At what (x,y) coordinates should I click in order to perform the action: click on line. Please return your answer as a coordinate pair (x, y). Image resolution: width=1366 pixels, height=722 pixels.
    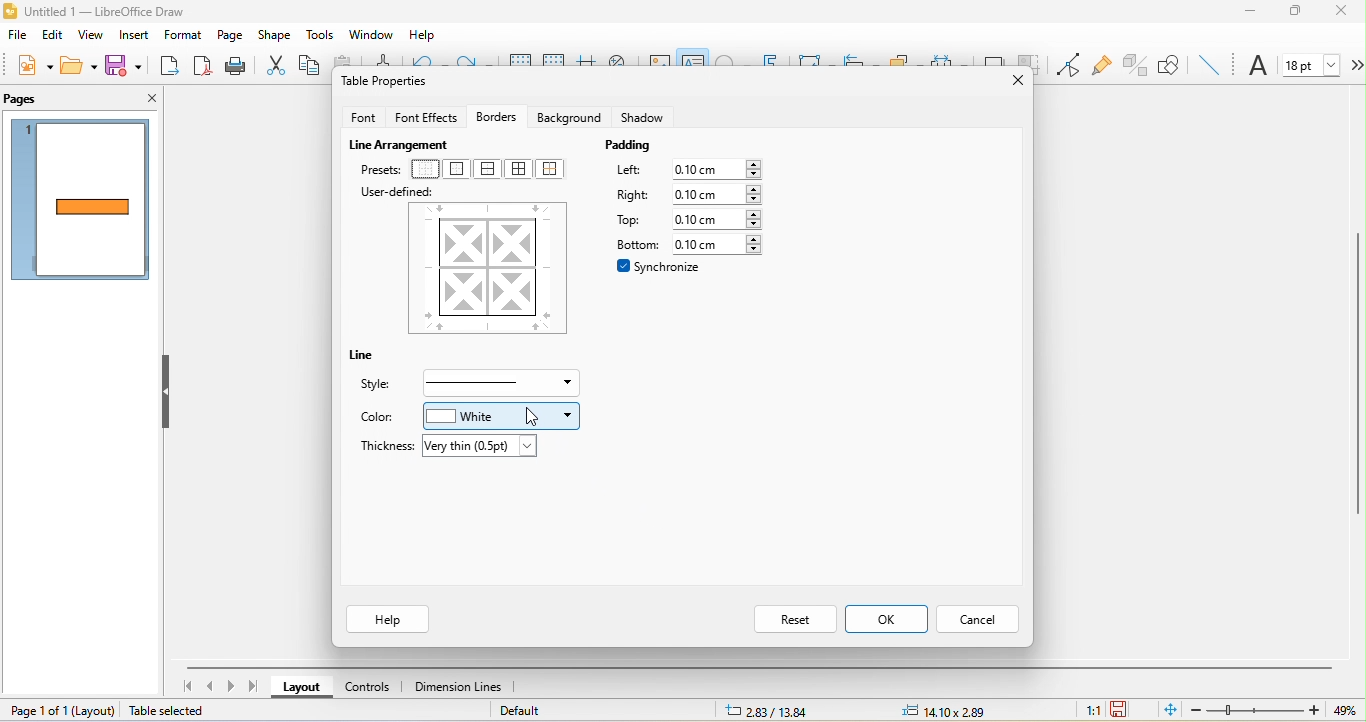
    Looking at the image, I should click on (368, 357).